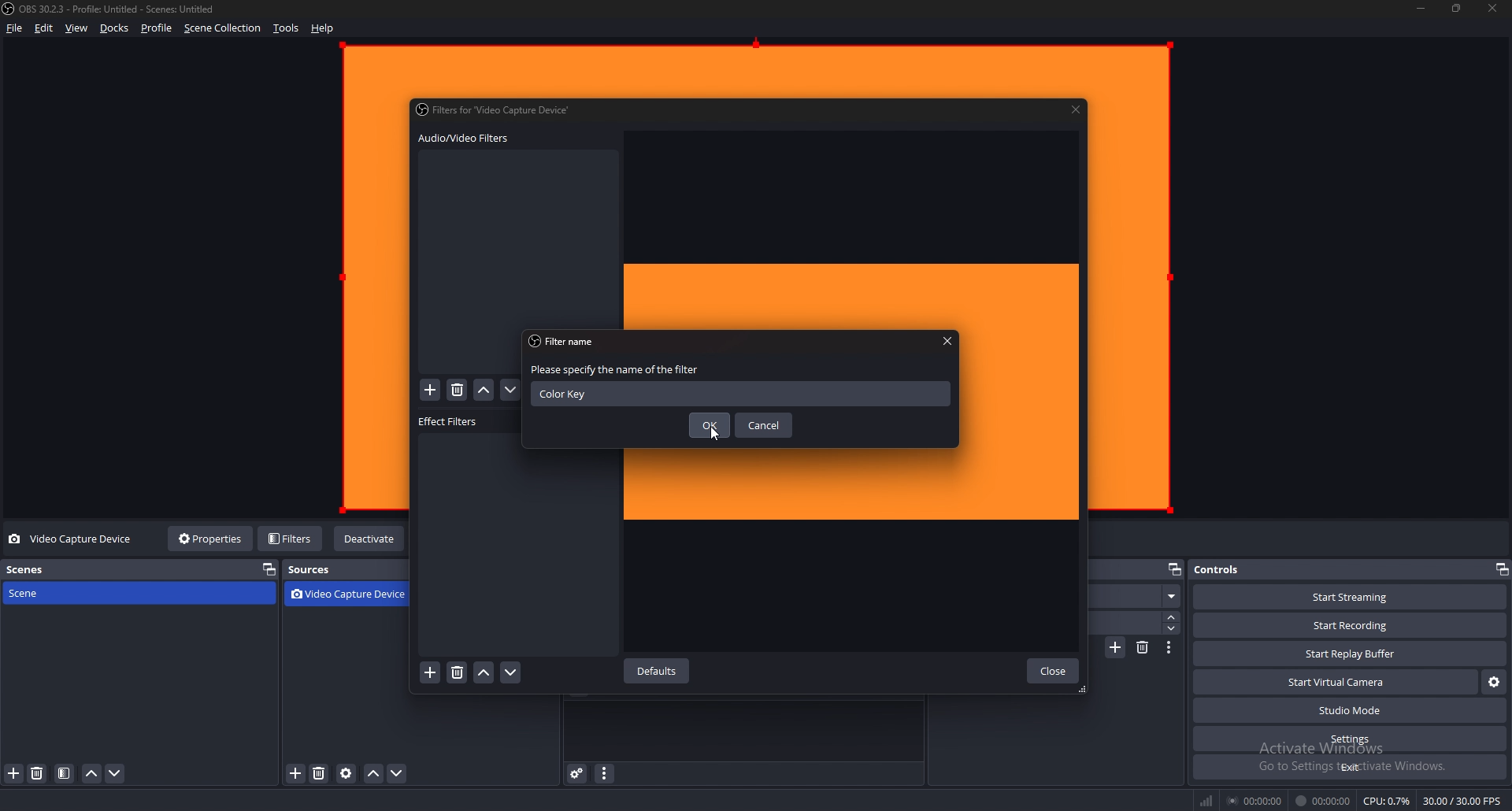 The height and width of the screenshot is (811, 1512). Describe the element at coordinates (1351, 653) in the screenshot. I see `start replay buffer` at that location.